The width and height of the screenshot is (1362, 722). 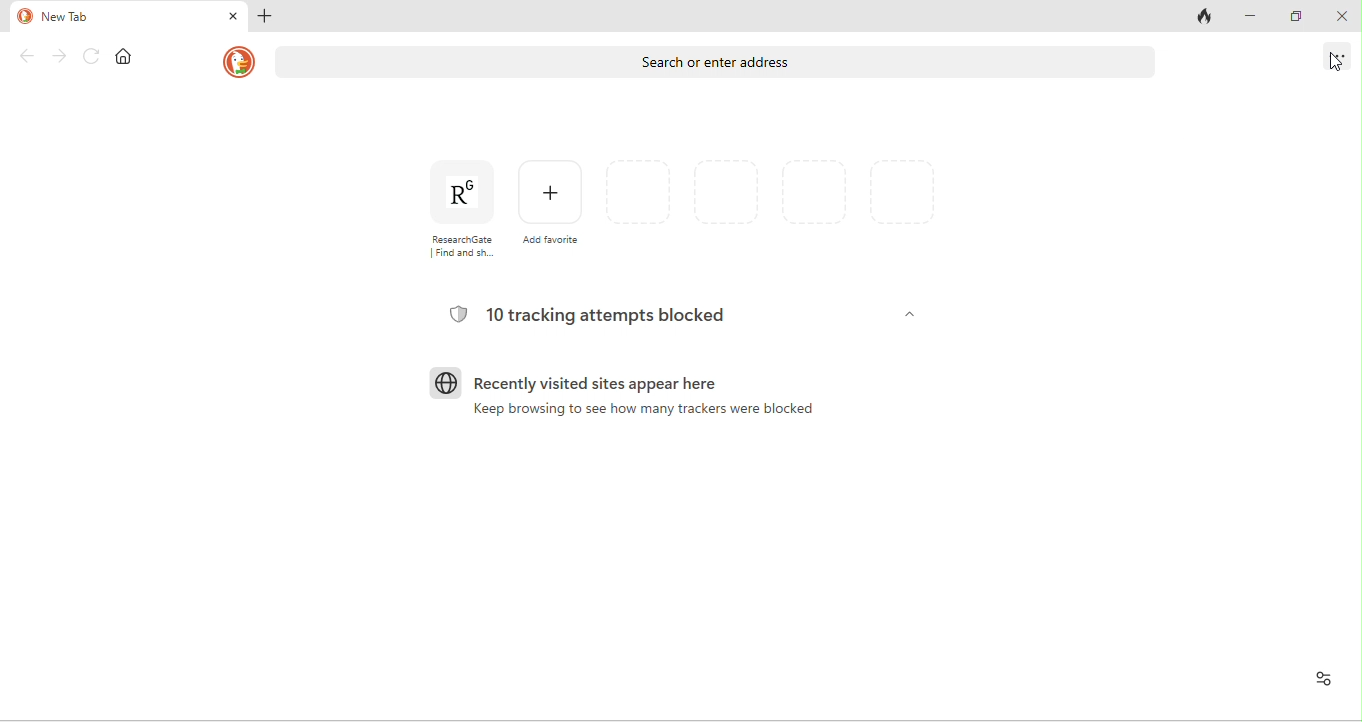 I want to click on duck duck go logo, so click(x=22, y=15).